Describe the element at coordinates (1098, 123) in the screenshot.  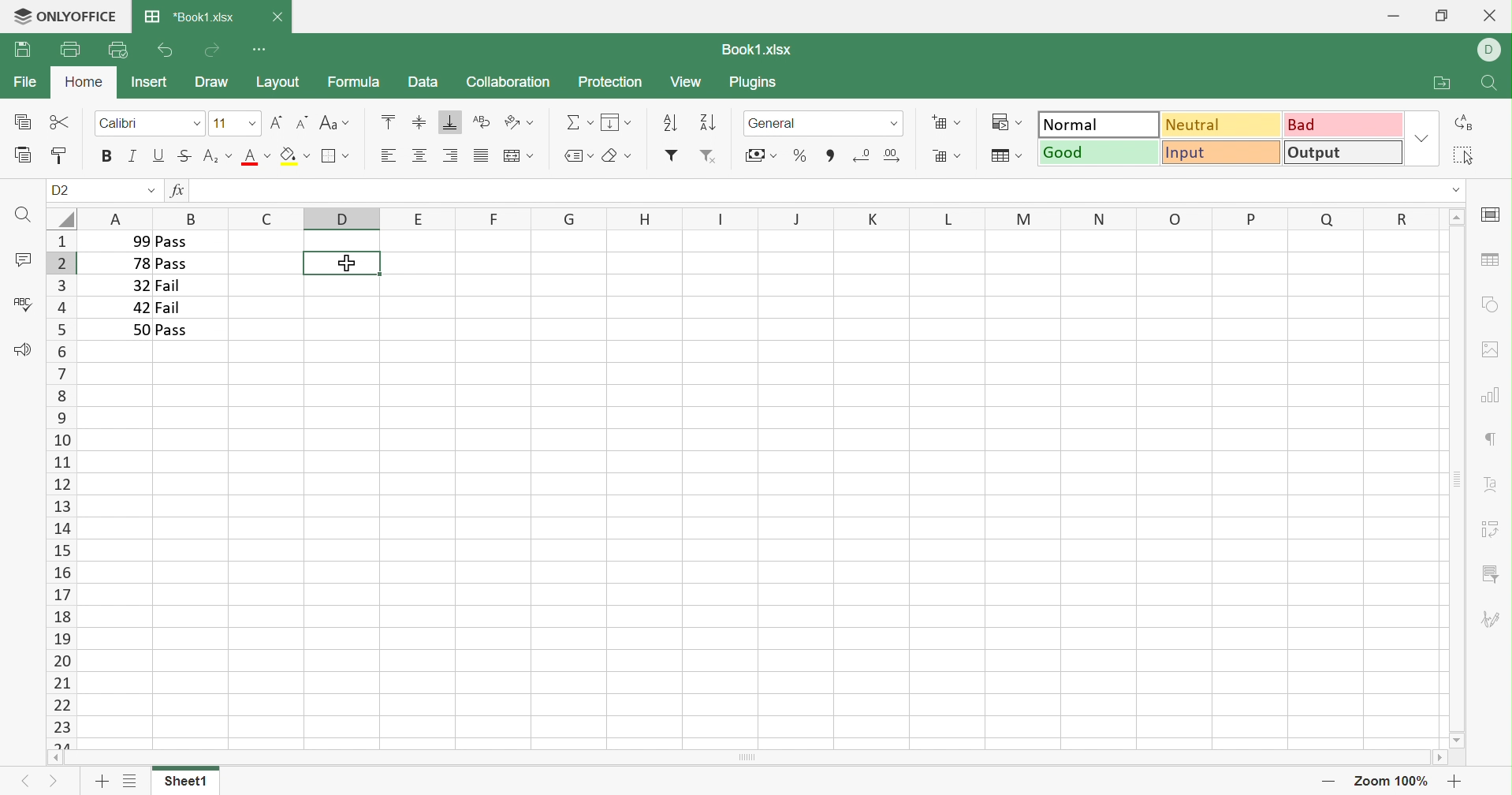
I see `Normal` at that location.